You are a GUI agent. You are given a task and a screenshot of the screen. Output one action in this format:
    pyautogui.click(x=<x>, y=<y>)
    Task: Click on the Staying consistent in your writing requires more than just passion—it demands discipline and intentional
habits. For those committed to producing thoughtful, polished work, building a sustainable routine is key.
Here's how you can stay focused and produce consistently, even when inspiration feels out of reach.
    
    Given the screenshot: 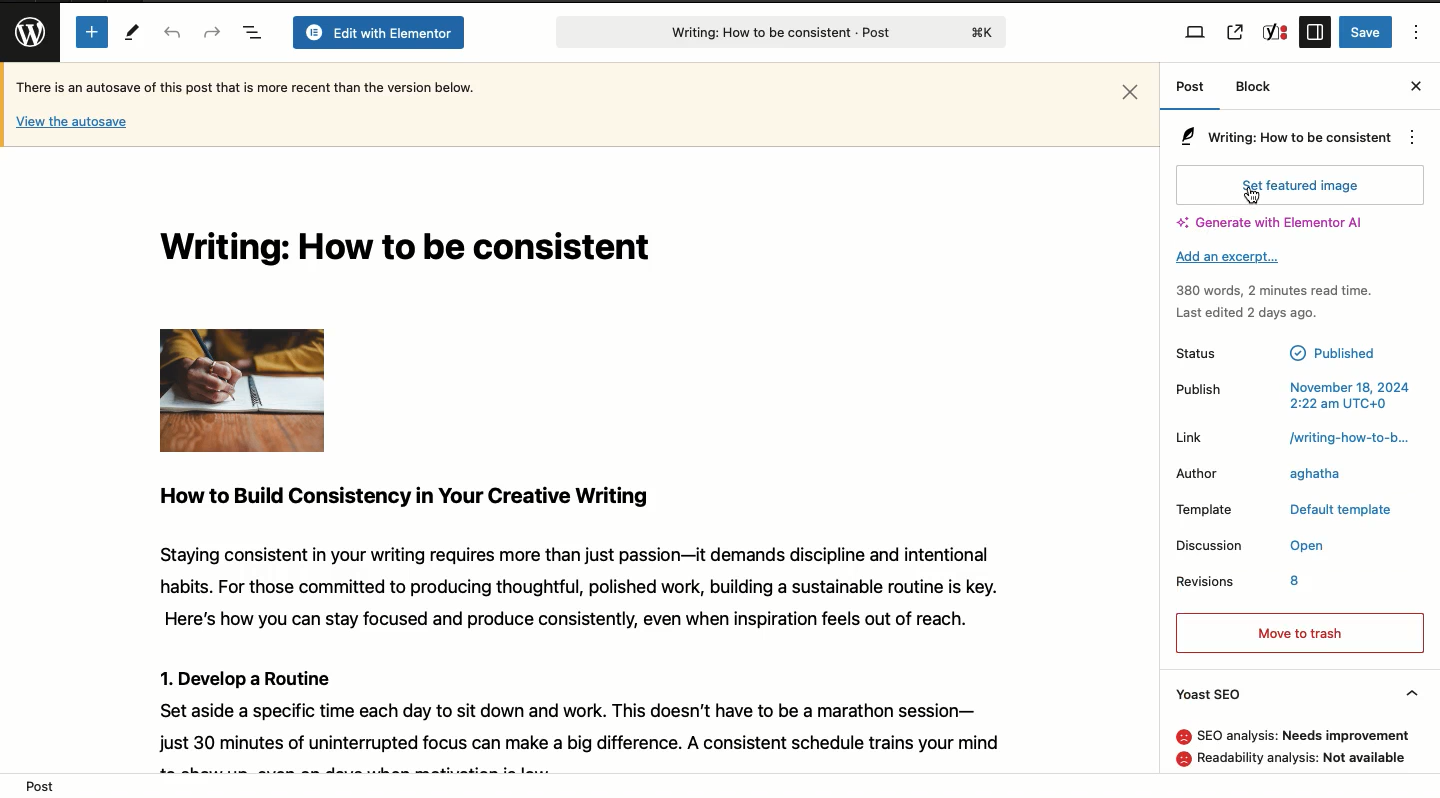 What is the action you would take?
    pyautogui.click(x=572, y=586)
    